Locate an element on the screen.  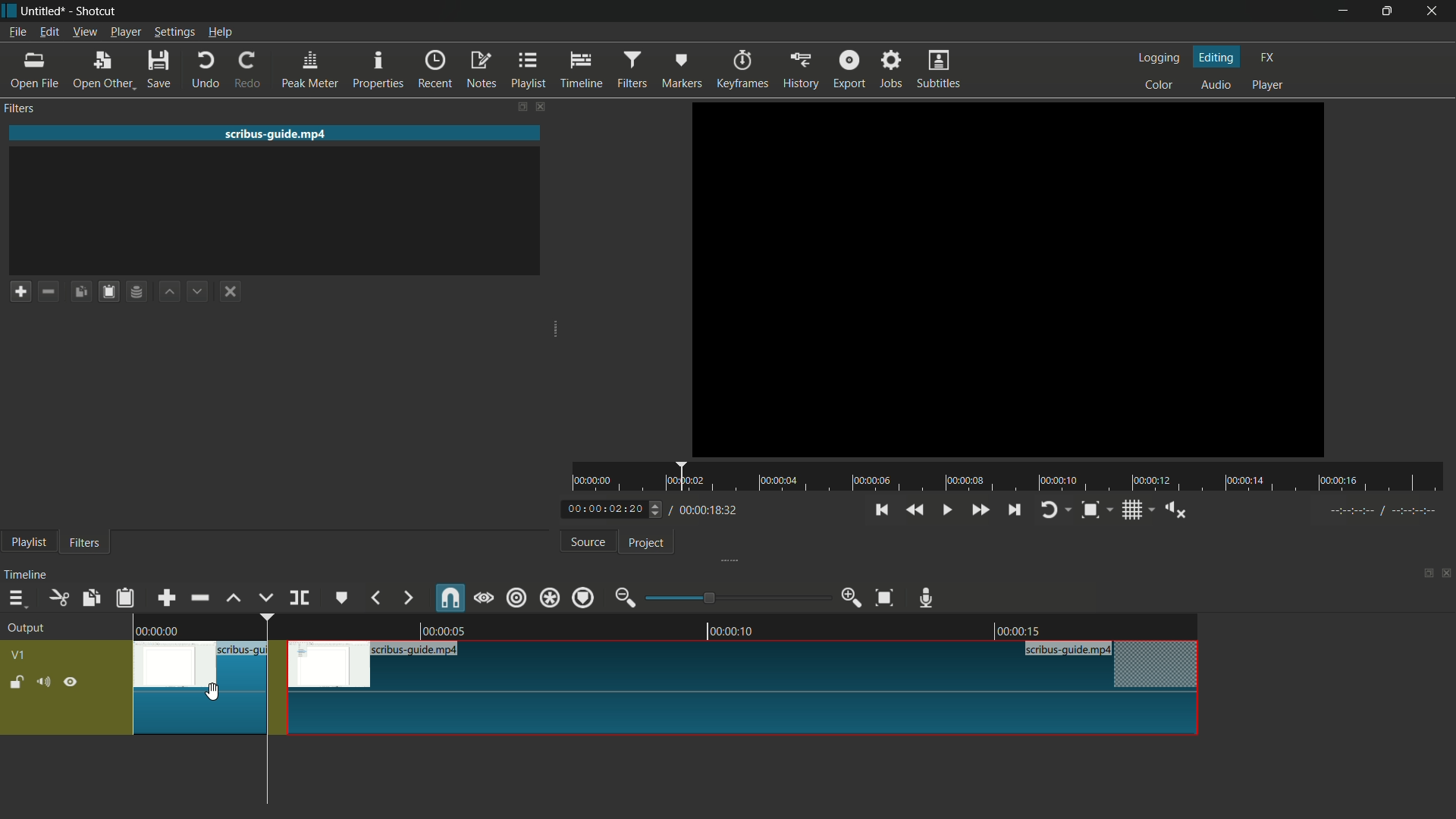
deselect the filter is located at coordinates (227, 293).